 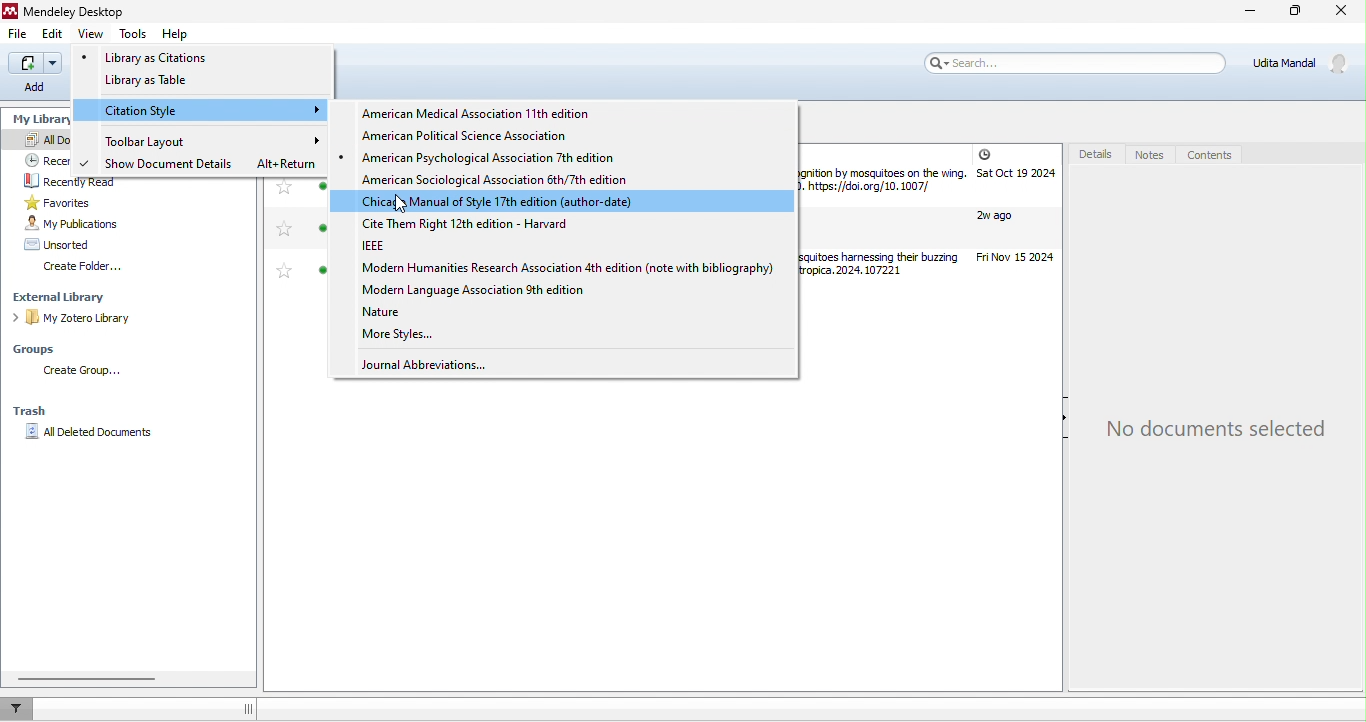 What do you see at coordinates (572, 267) in the screenshot?
I see `modern humanities research association 4th edition` at bounding box center [572, 267].